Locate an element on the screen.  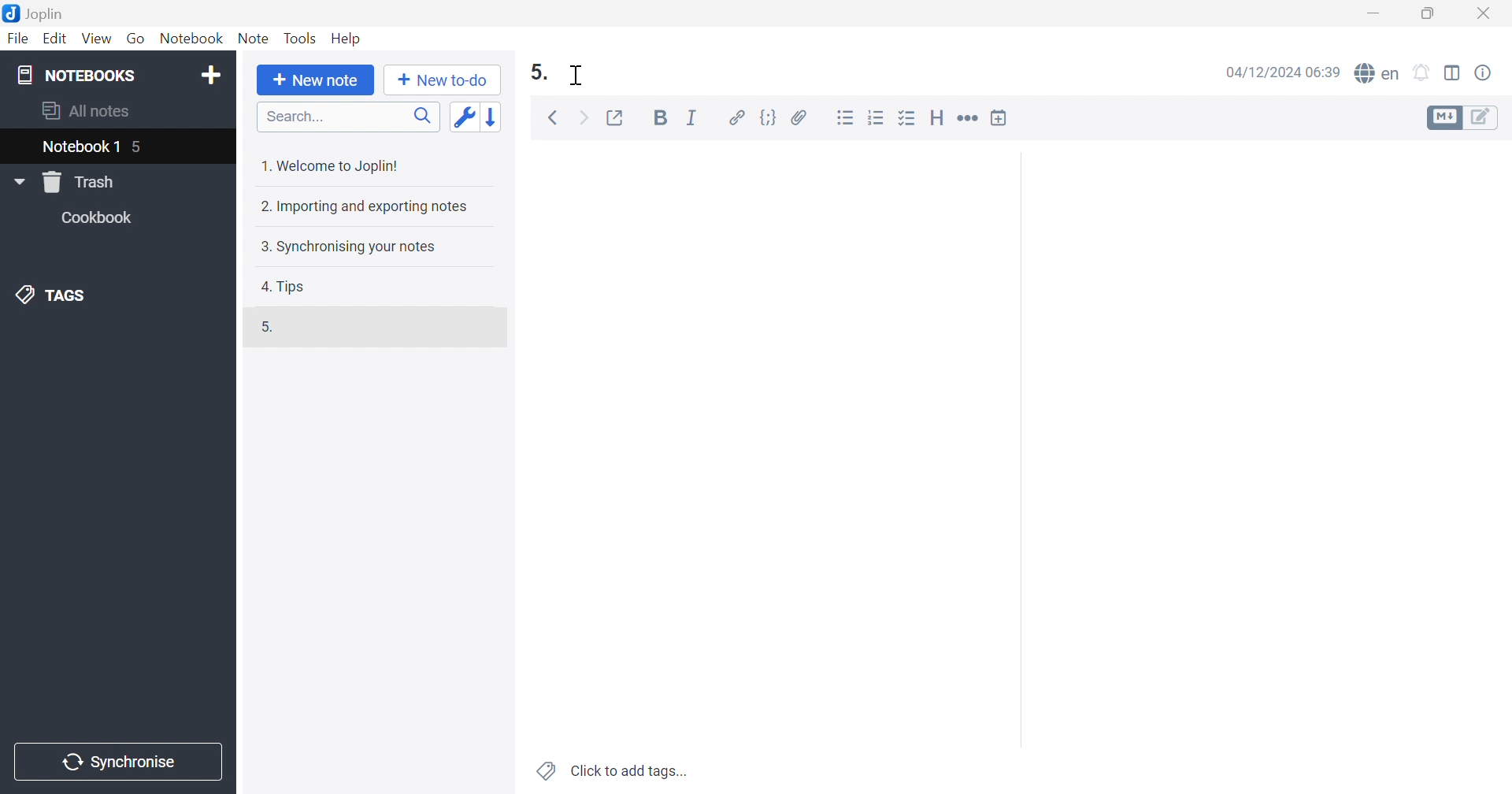
Note properties is located at coordinates (1485, 74).